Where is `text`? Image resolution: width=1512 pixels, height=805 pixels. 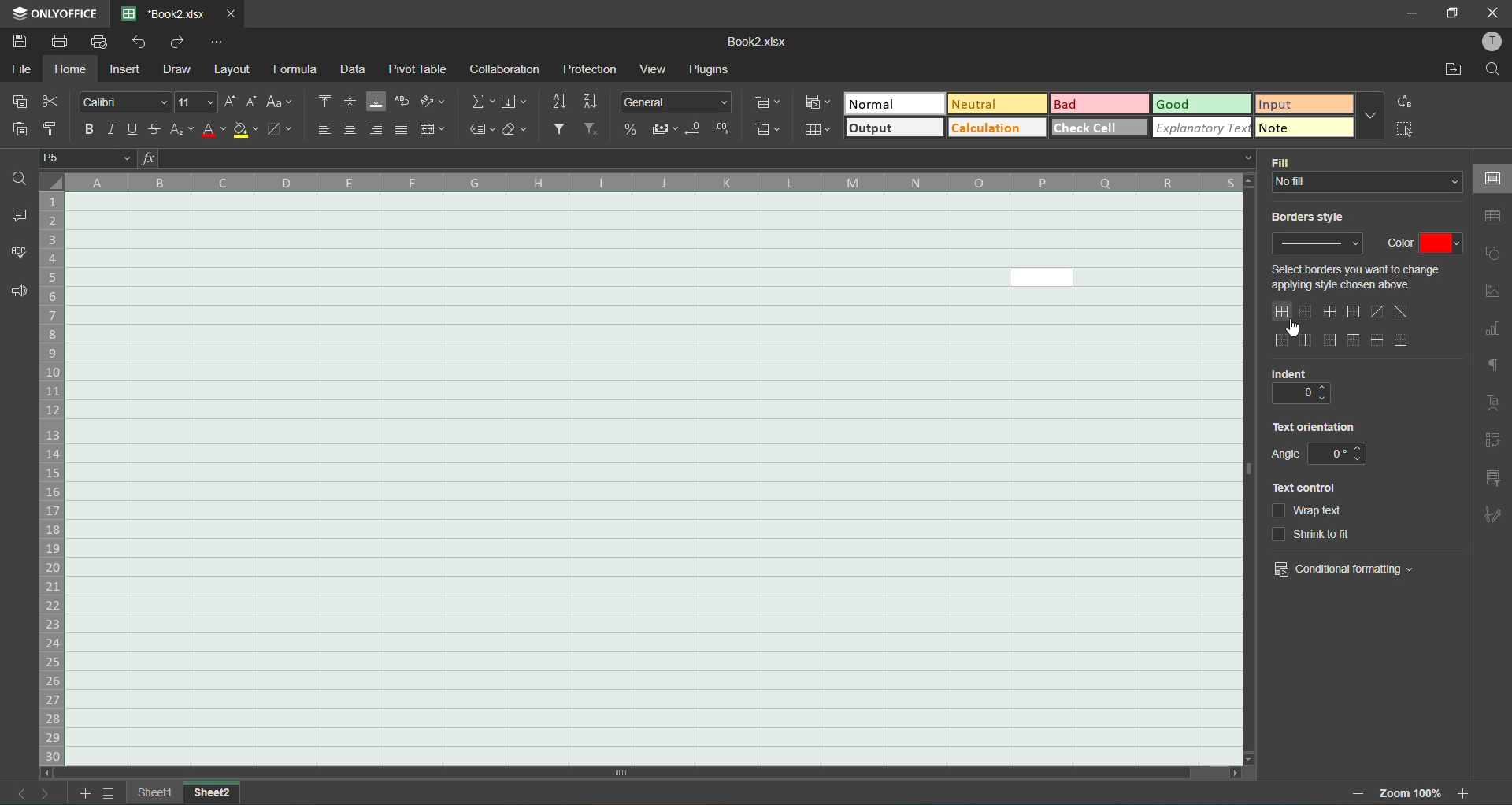
text is located at coordinates (1495, 406).